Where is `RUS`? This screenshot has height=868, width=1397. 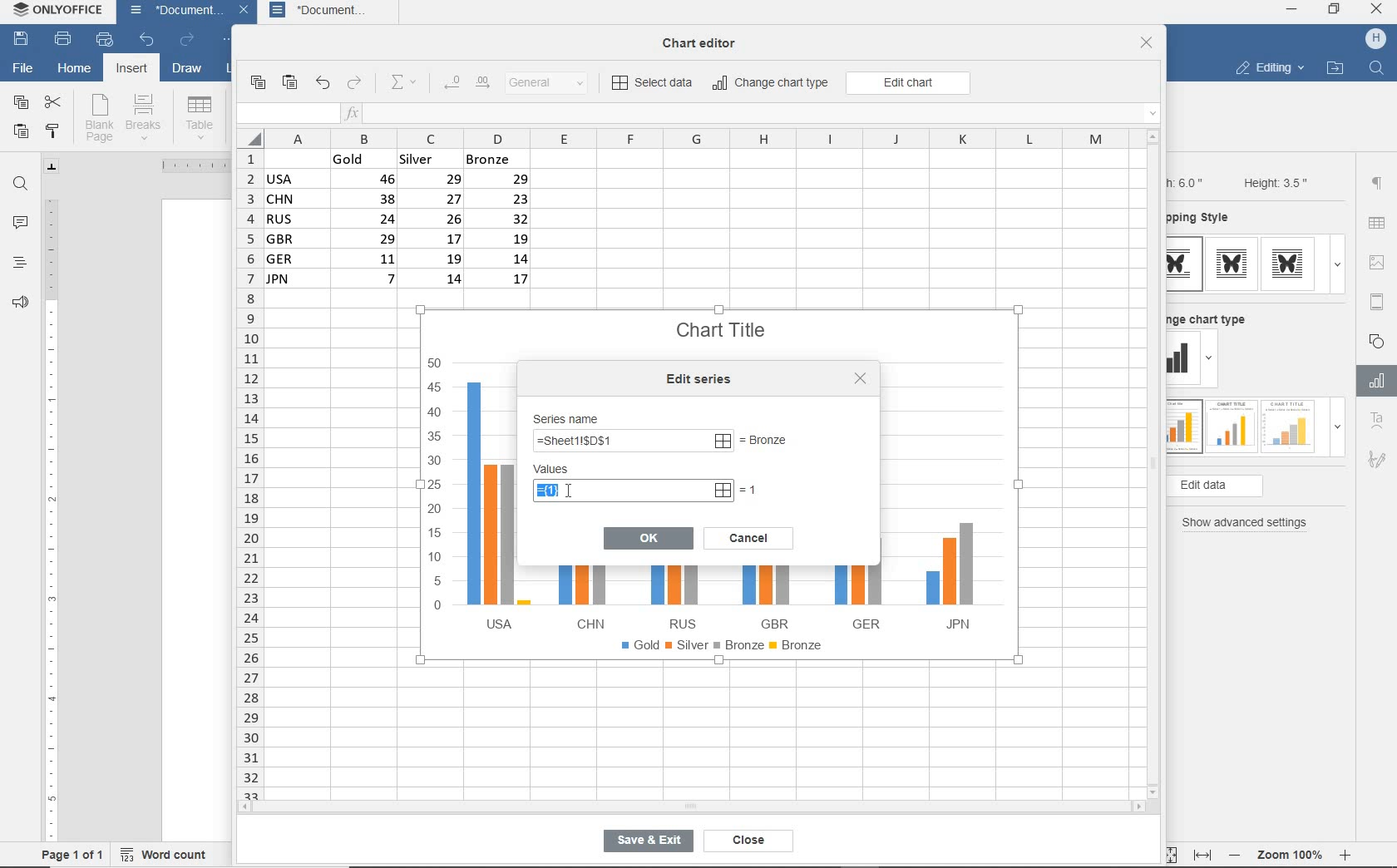
RUS is located at coordinates (678, 597).